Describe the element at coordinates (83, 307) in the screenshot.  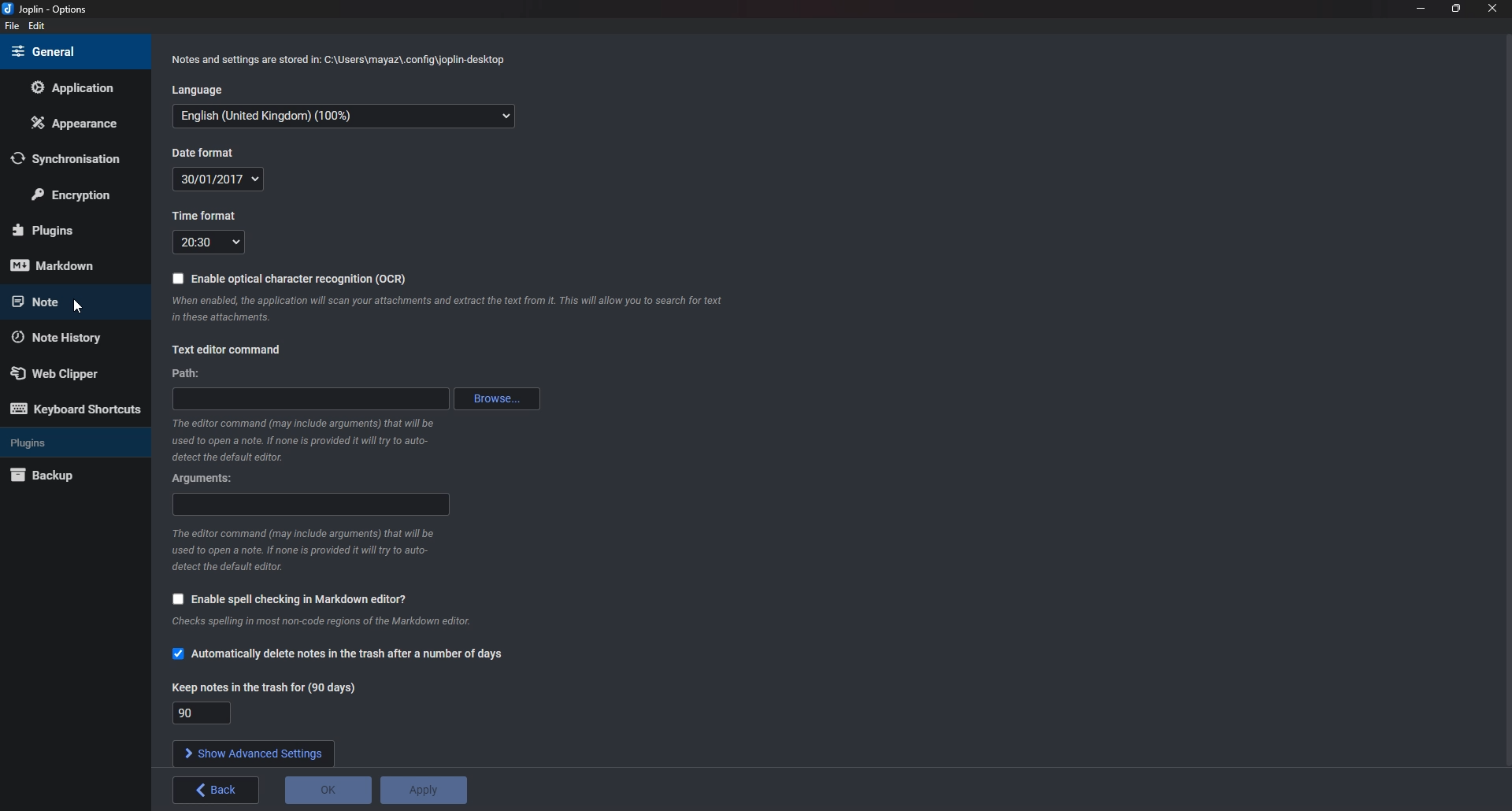
I see `cursor` at that location.